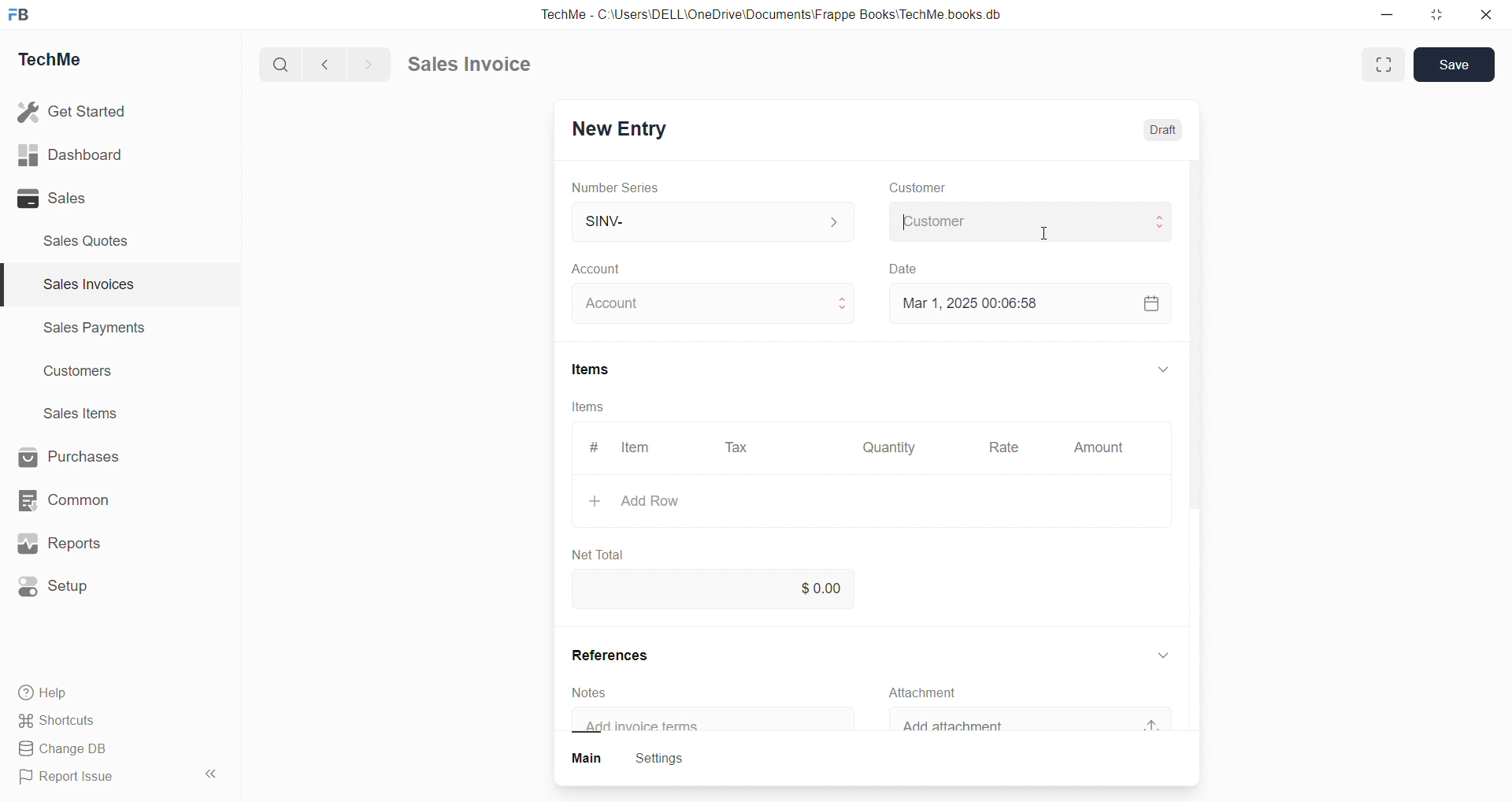 This screenshot has height=802, width=1512. I want to click on Quantity, so click(894, 446).